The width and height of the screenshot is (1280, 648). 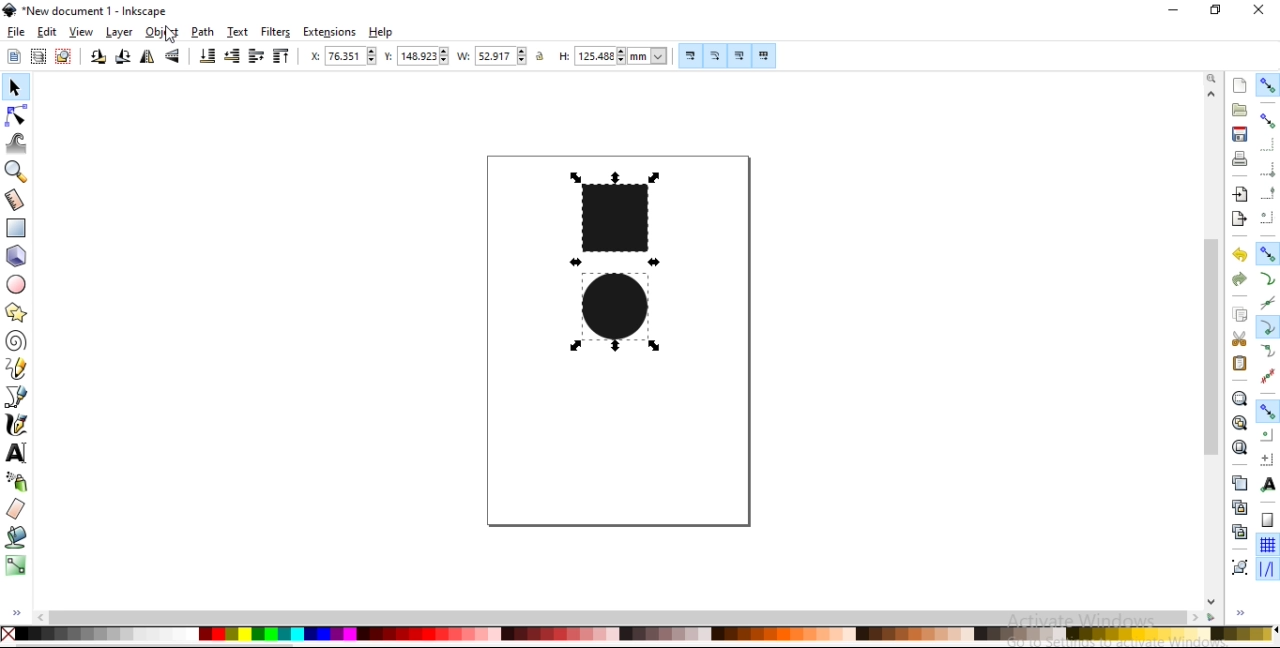 I want to click on create and edit gradients, so click(x=17, y=566).